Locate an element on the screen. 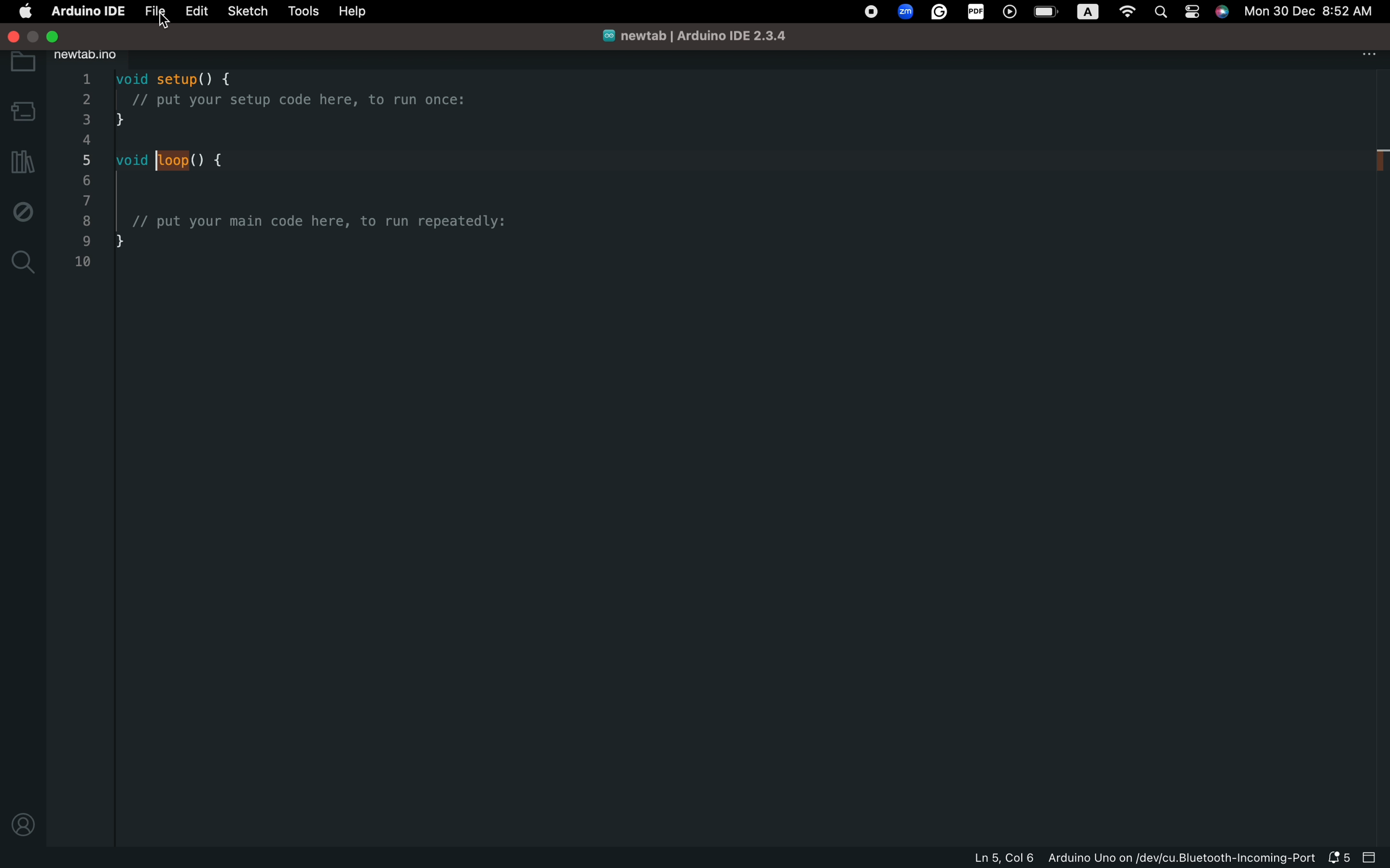 The height and width of the screenshot is (868, 1390). date and time is located at coordinates (1311, 13).